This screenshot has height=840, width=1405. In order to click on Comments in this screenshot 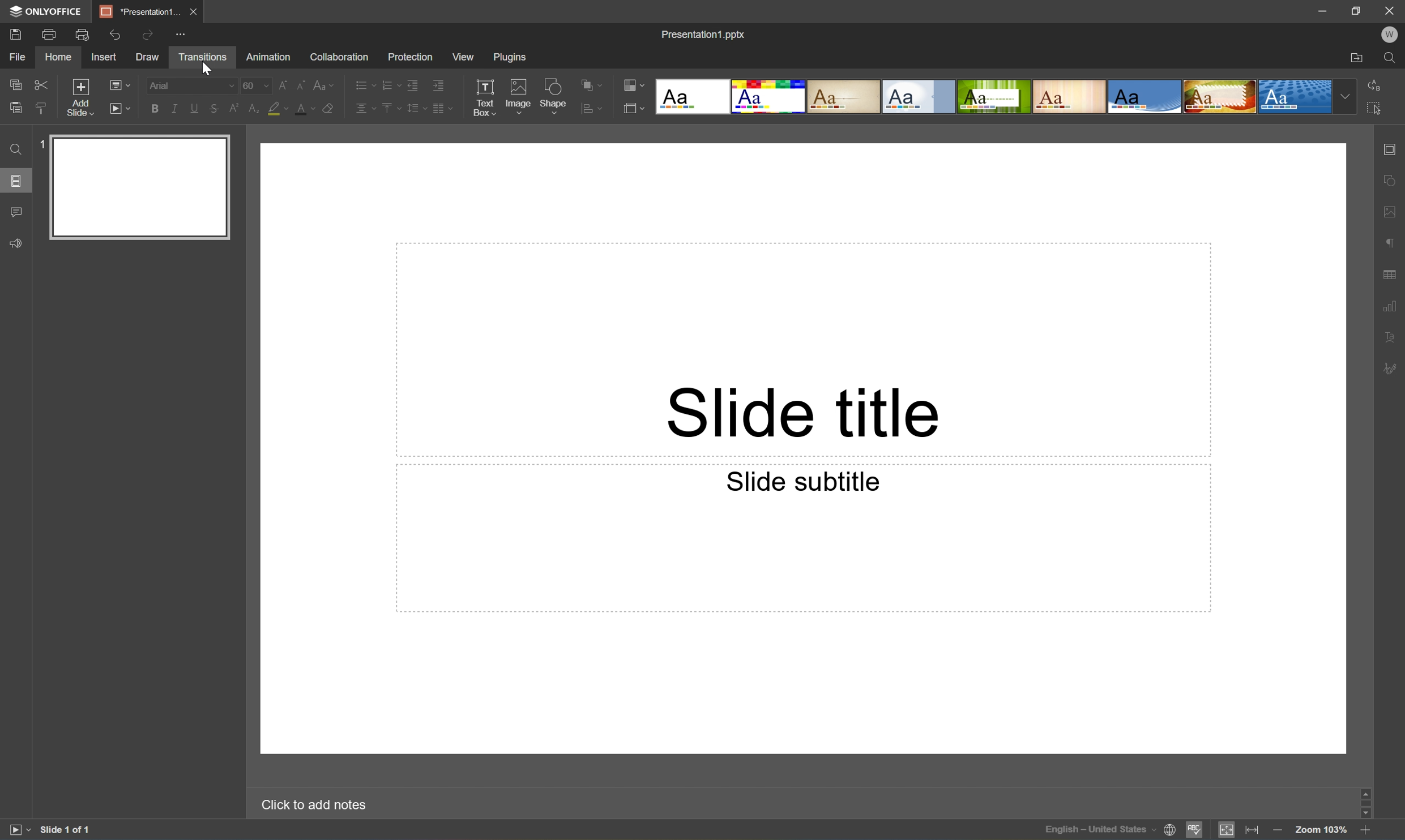, I will do `click(15, 211)`.